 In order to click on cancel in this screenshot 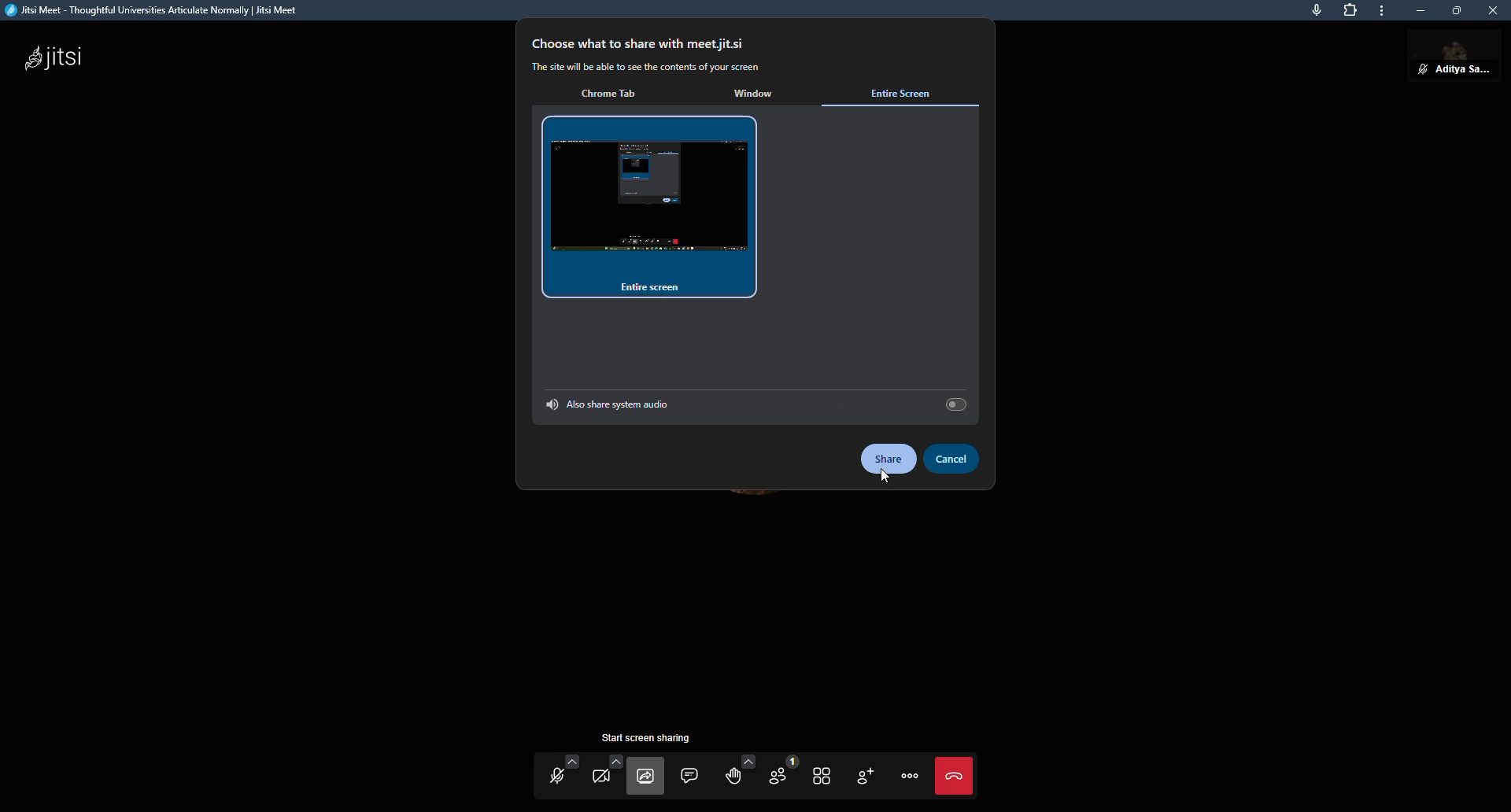, I will do `click(957, 459)`.